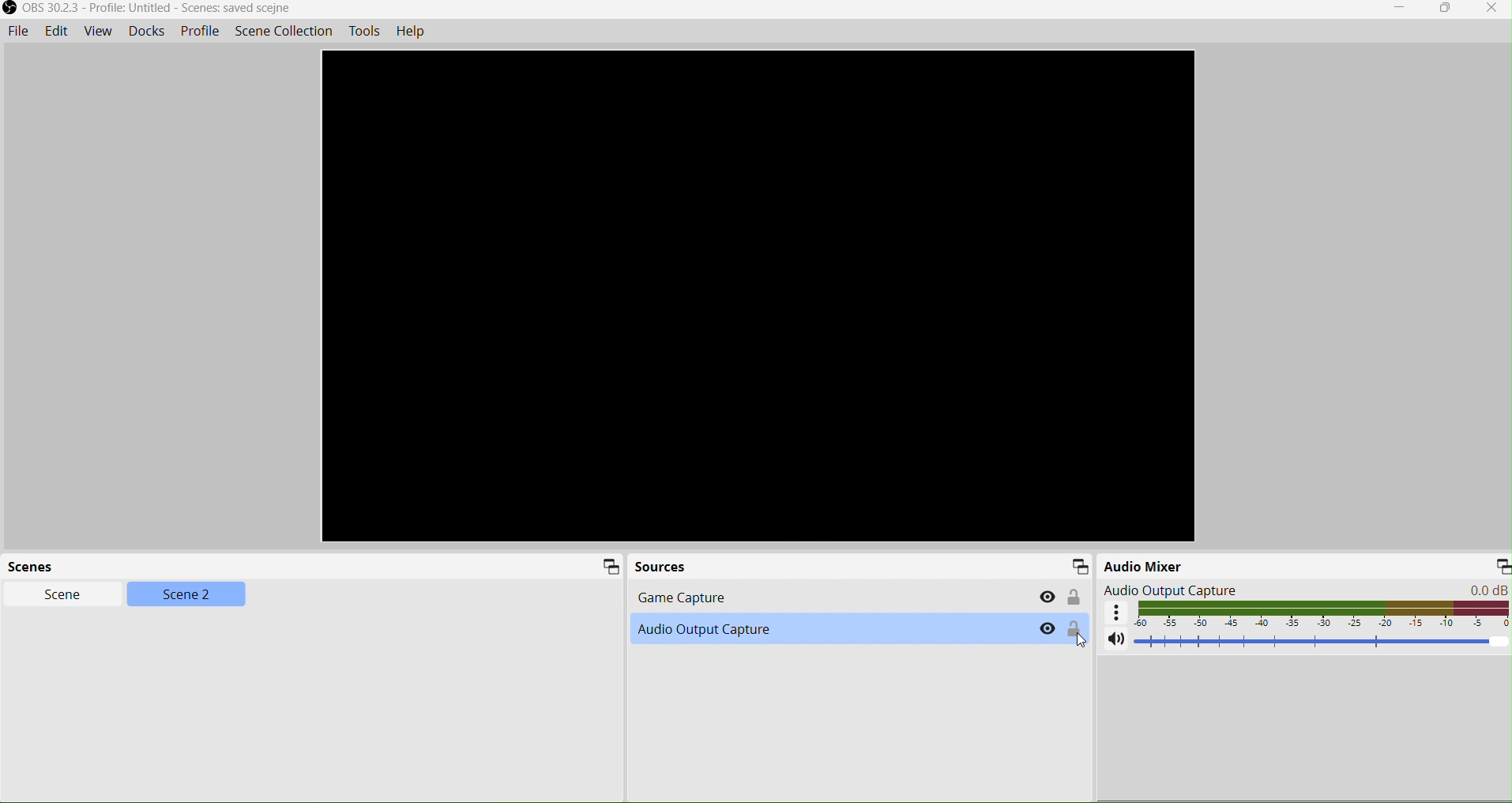 The height and width of the screenshot is (803, 1512). I want to click on Audio Capture, so click(823, 628).